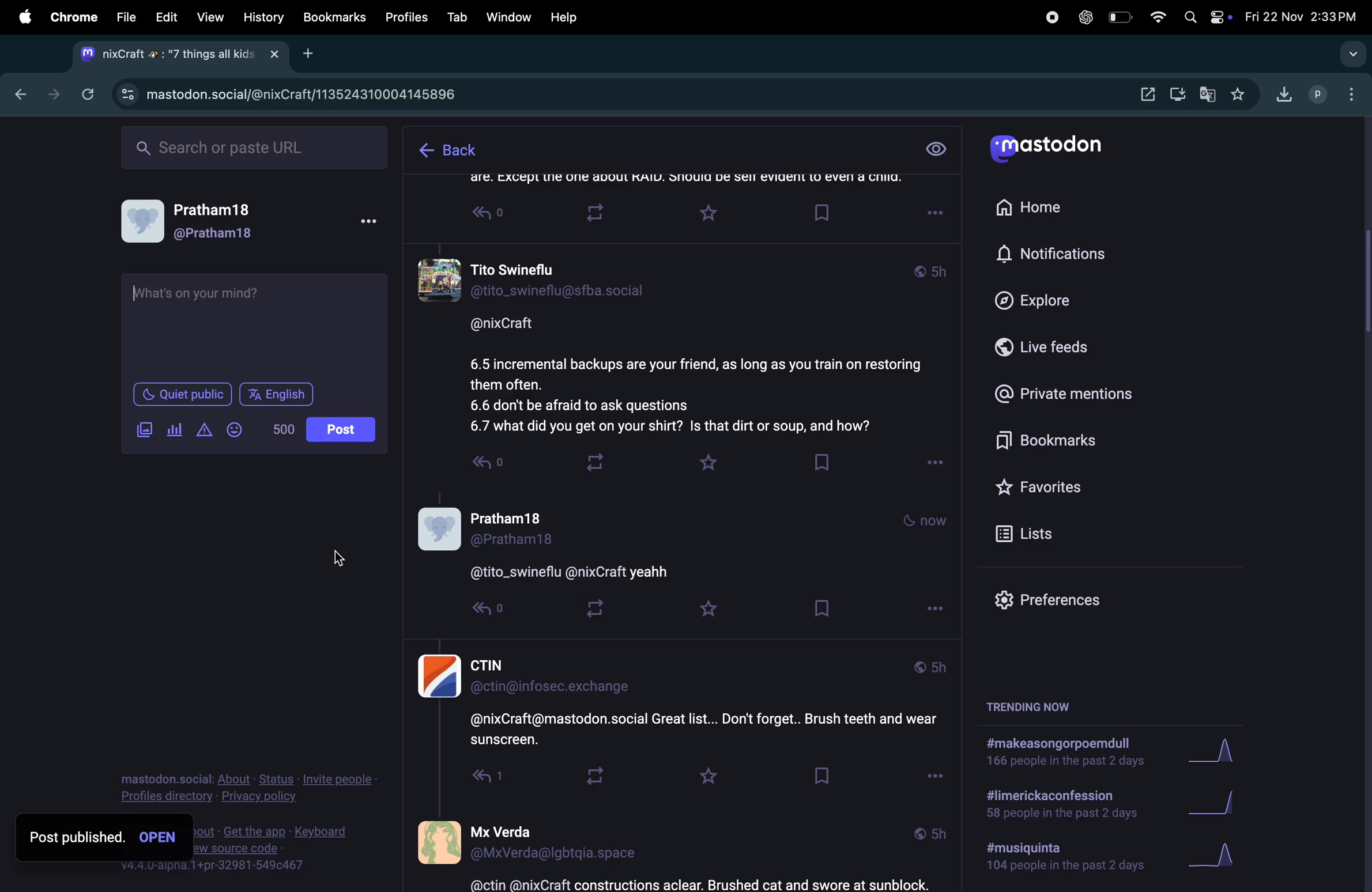  I want to click on #limerickaconfession
58 people in the past 2 days, so click(1058, 806).